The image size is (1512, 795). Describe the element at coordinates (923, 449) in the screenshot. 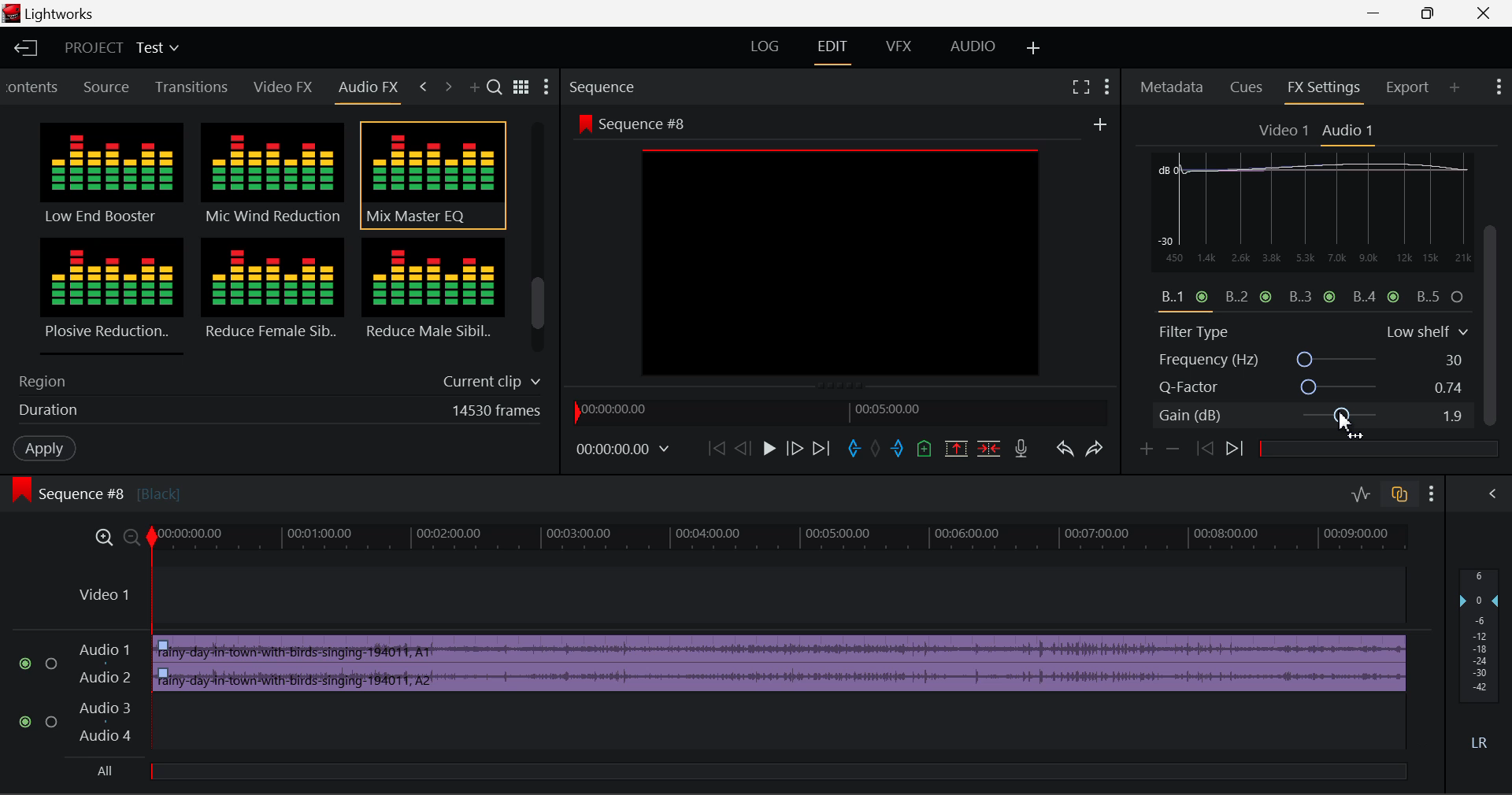

I see `Mark Cue` at that location.